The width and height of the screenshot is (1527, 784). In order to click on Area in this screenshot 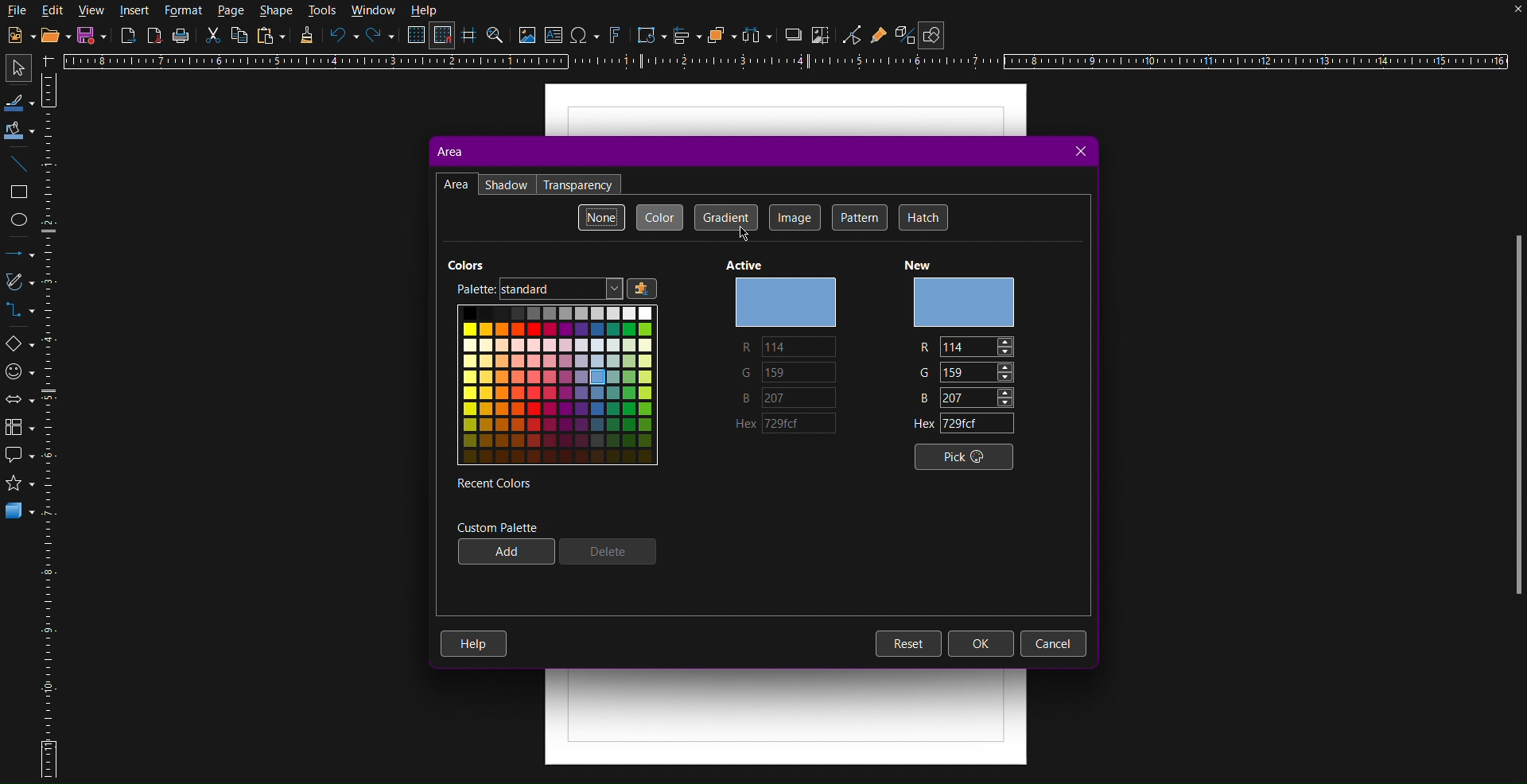, I will do `click(456, 184)`.